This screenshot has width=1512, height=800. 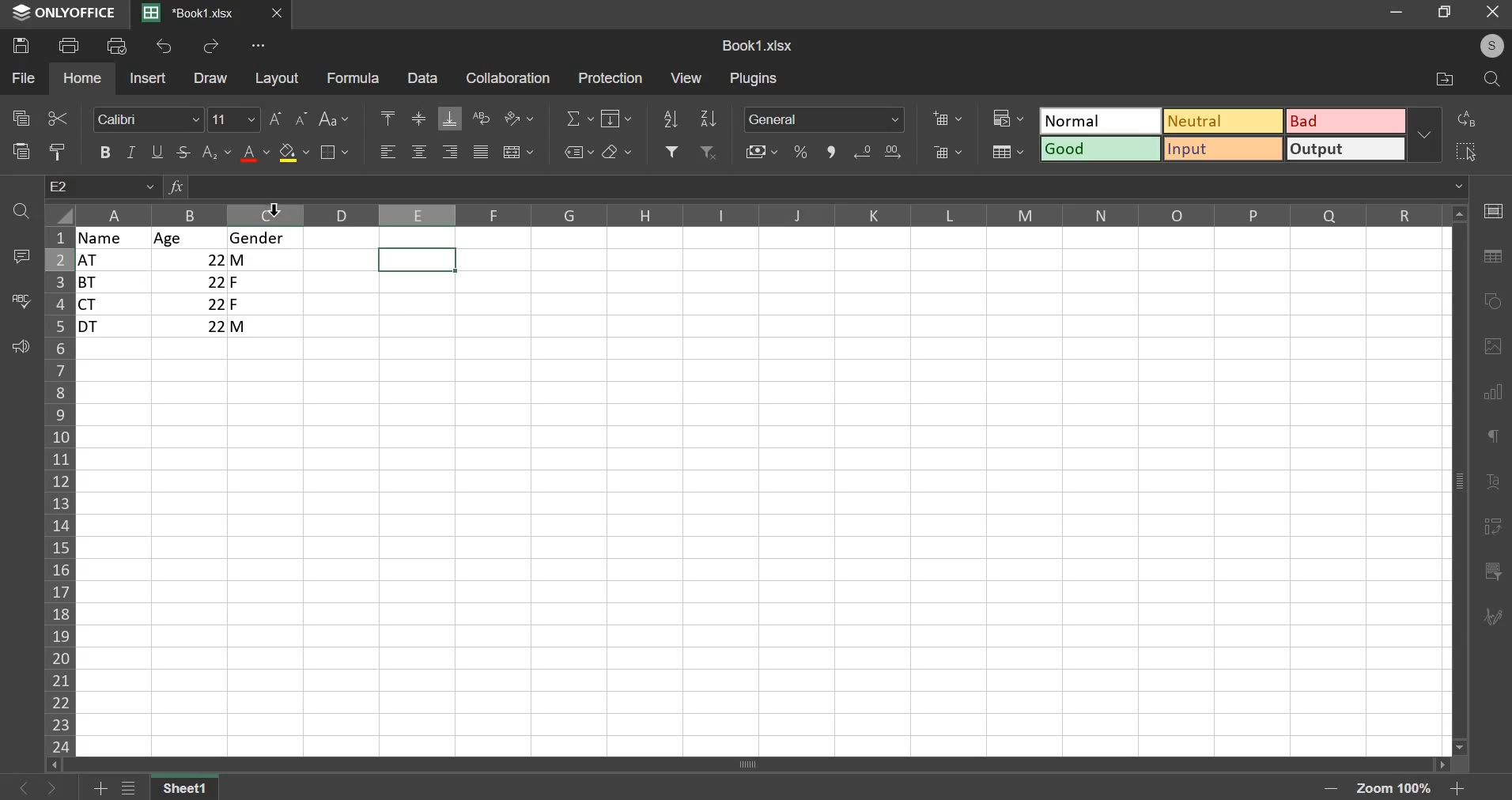 What do you see at coordinates (254, 48) in the screenshot?
I see `more` at bounding box center [254, 48].